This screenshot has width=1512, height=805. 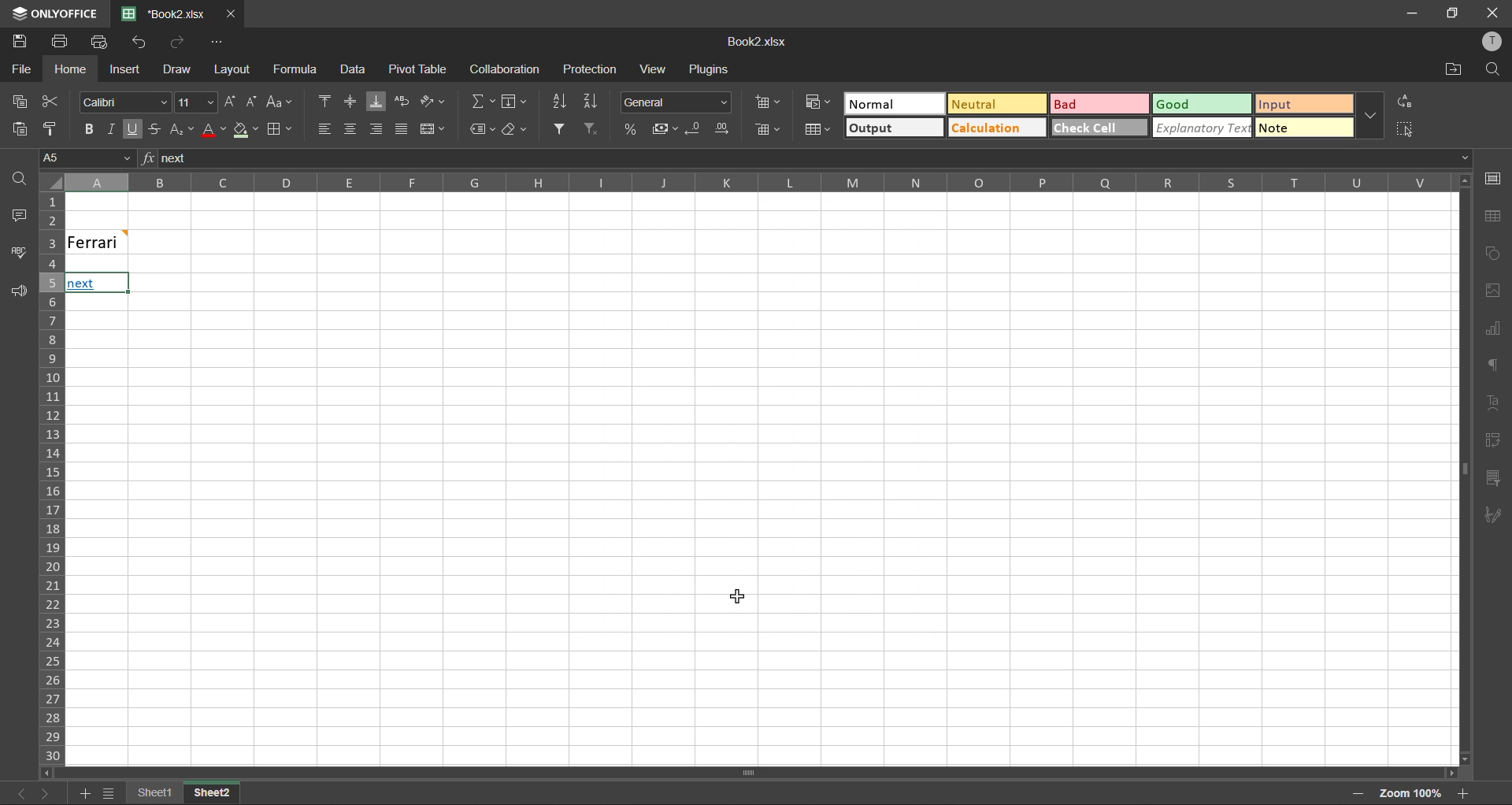 I want to click on column names, so click(x=748, y=181).